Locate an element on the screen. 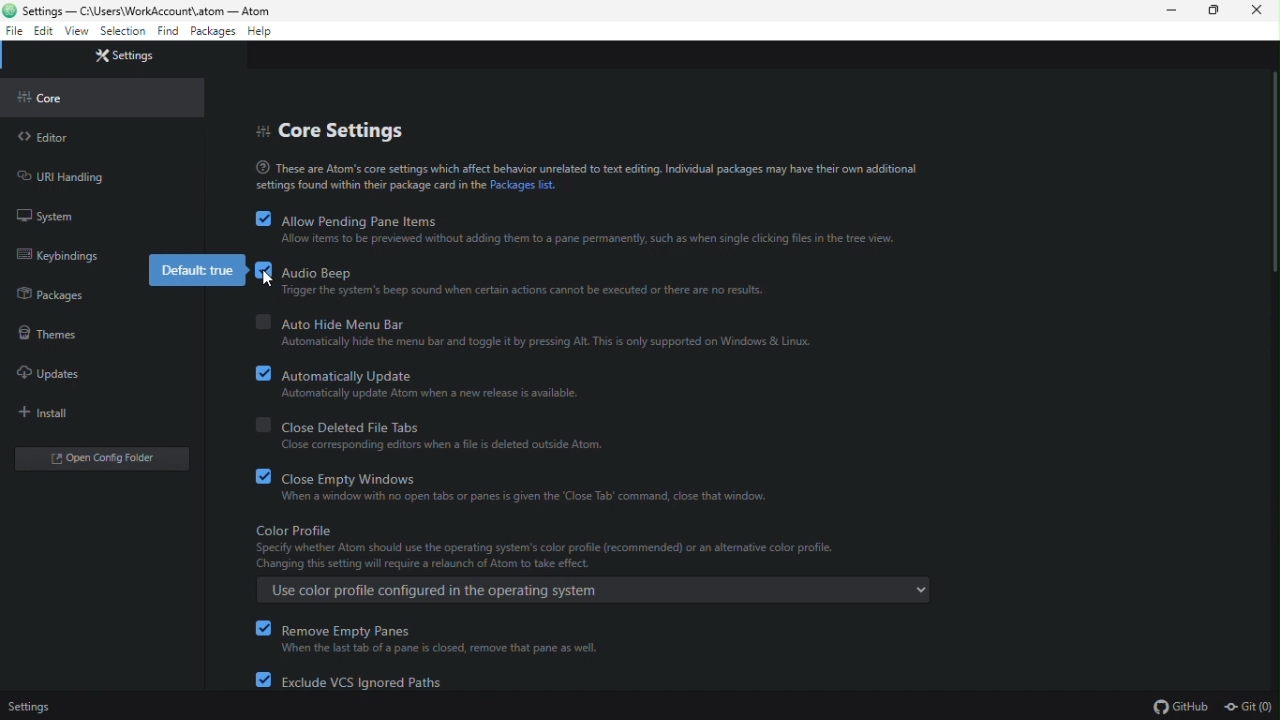 The height and width of the screenshot is (720, 1280). Automatically hide menu bar and toggle it by pressing Alt. This is only supported on Windows and Linux is located at coordinates (548, 345).